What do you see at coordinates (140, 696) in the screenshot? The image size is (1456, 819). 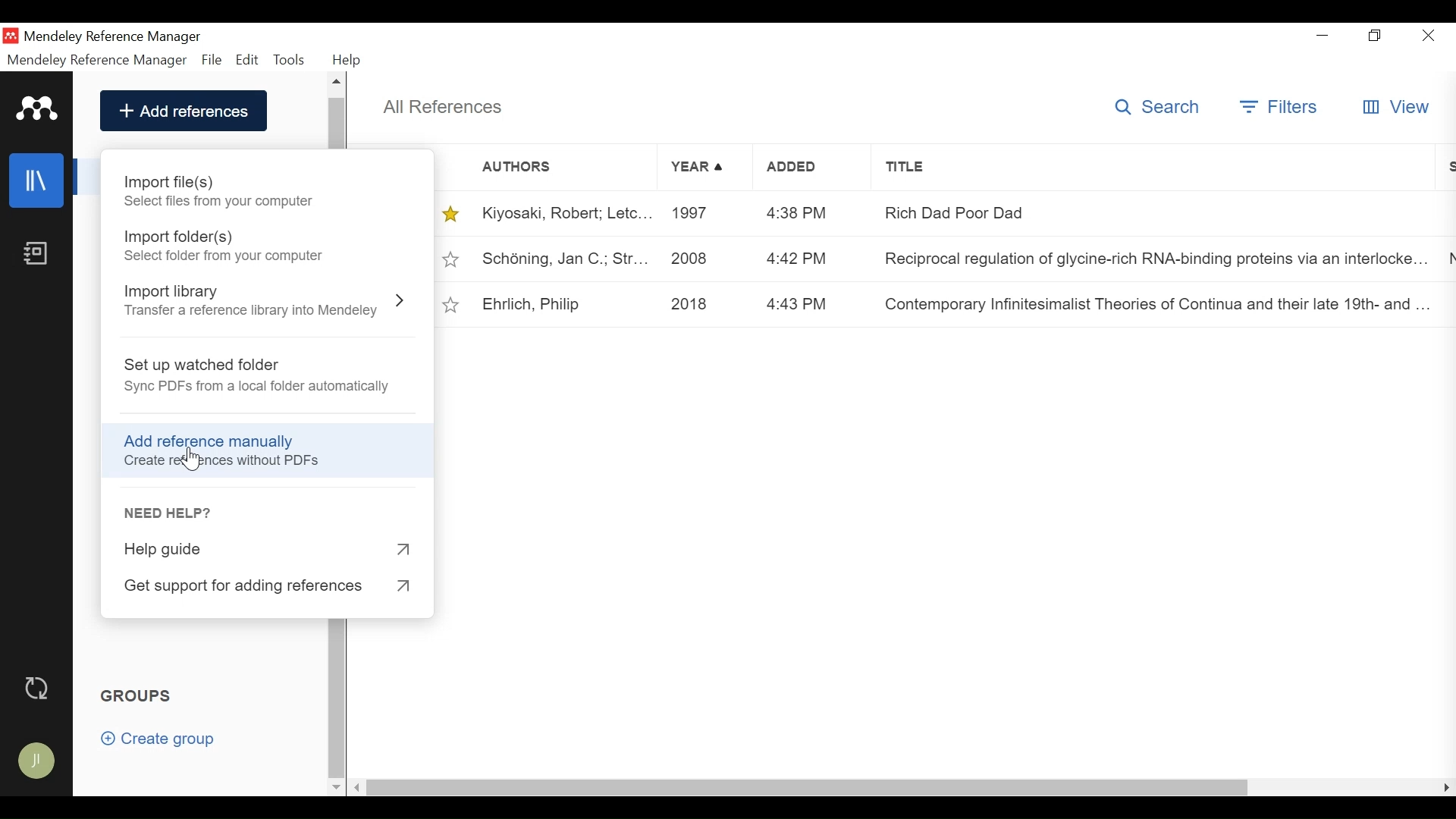 I see `Groups` at bounding box center [140, 696].